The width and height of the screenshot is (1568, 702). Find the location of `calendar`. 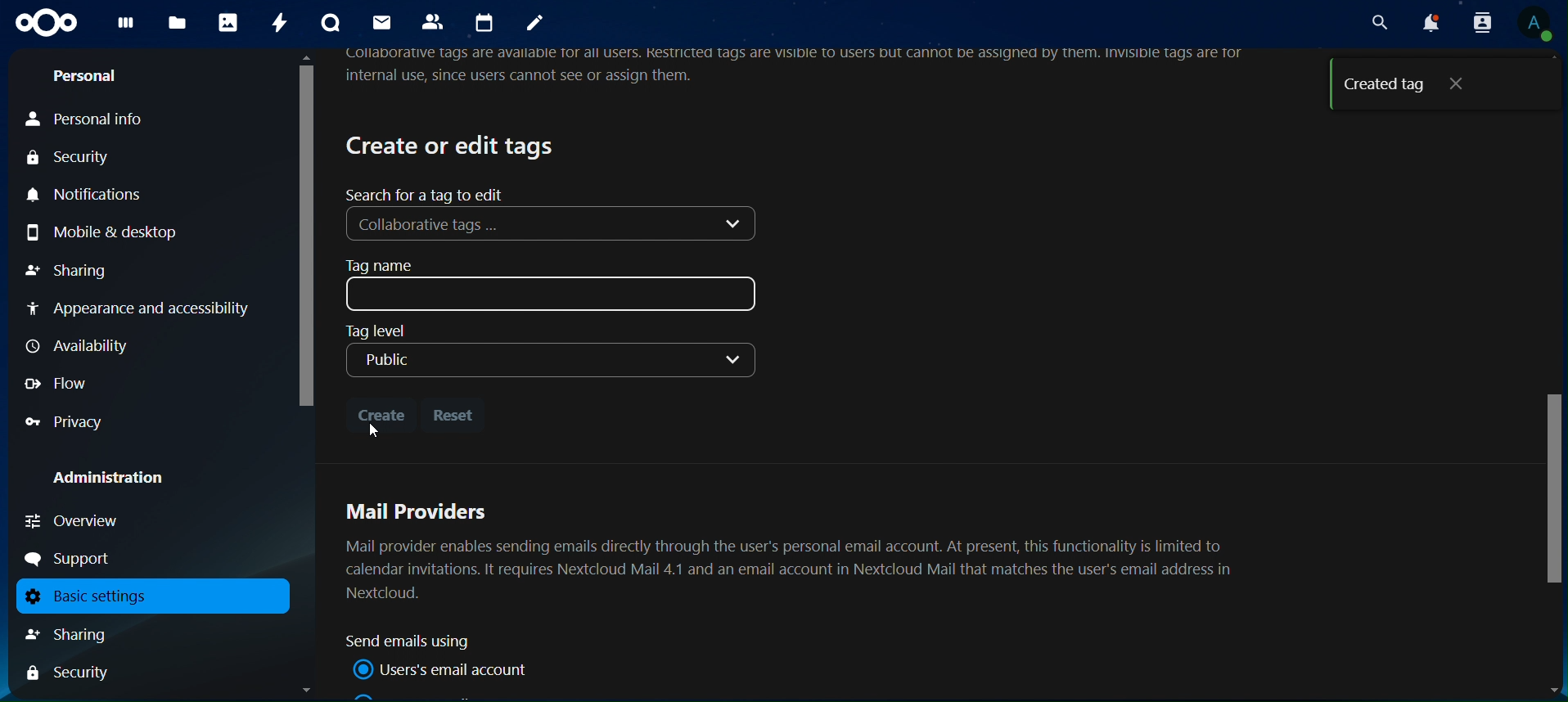

calendar is located at coordinates (487, 23).